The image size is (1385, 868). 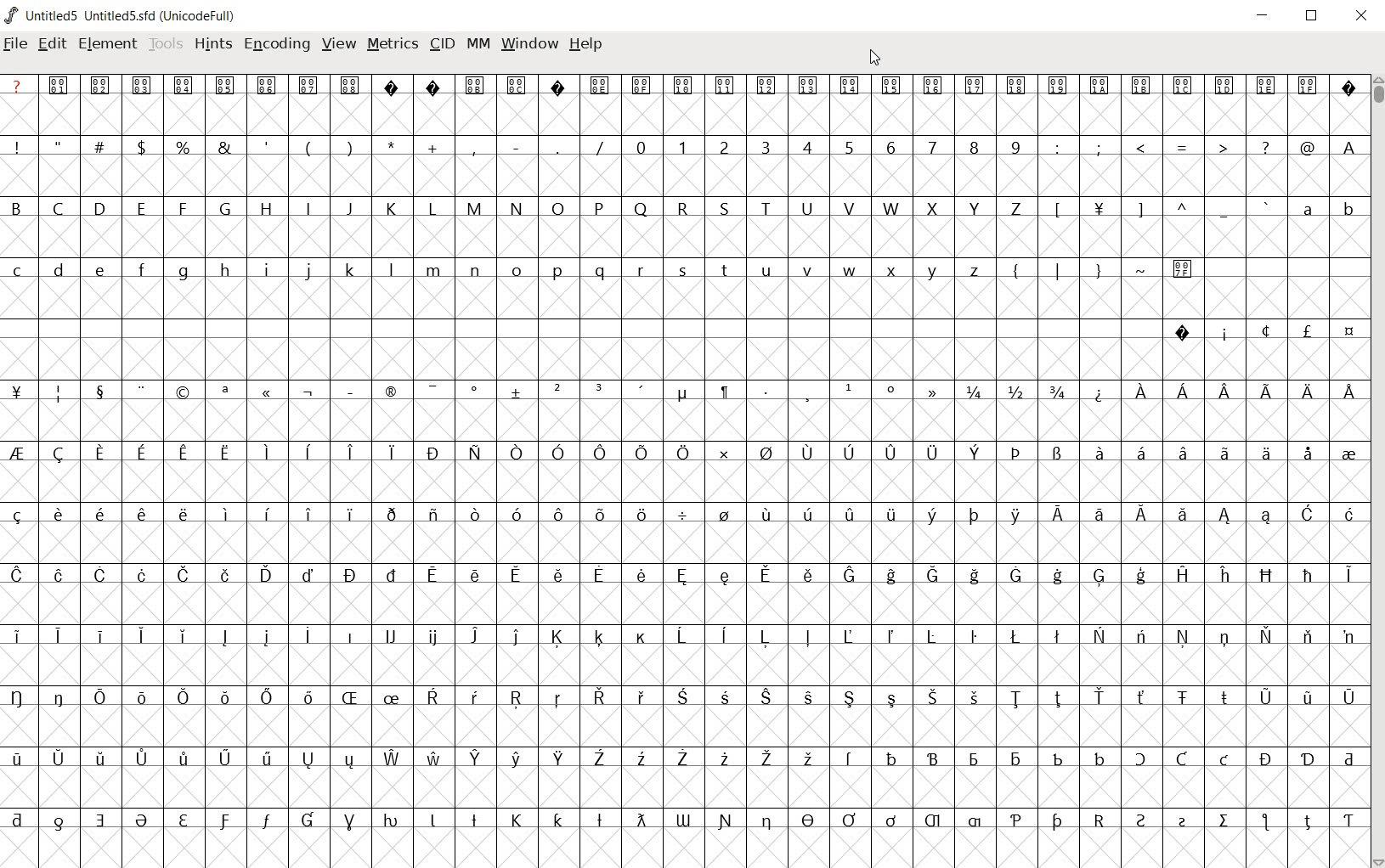 What do you see at coordinates (931, 577) in the screenshot?
I see `Symbol` at bounding box center [931, 577].